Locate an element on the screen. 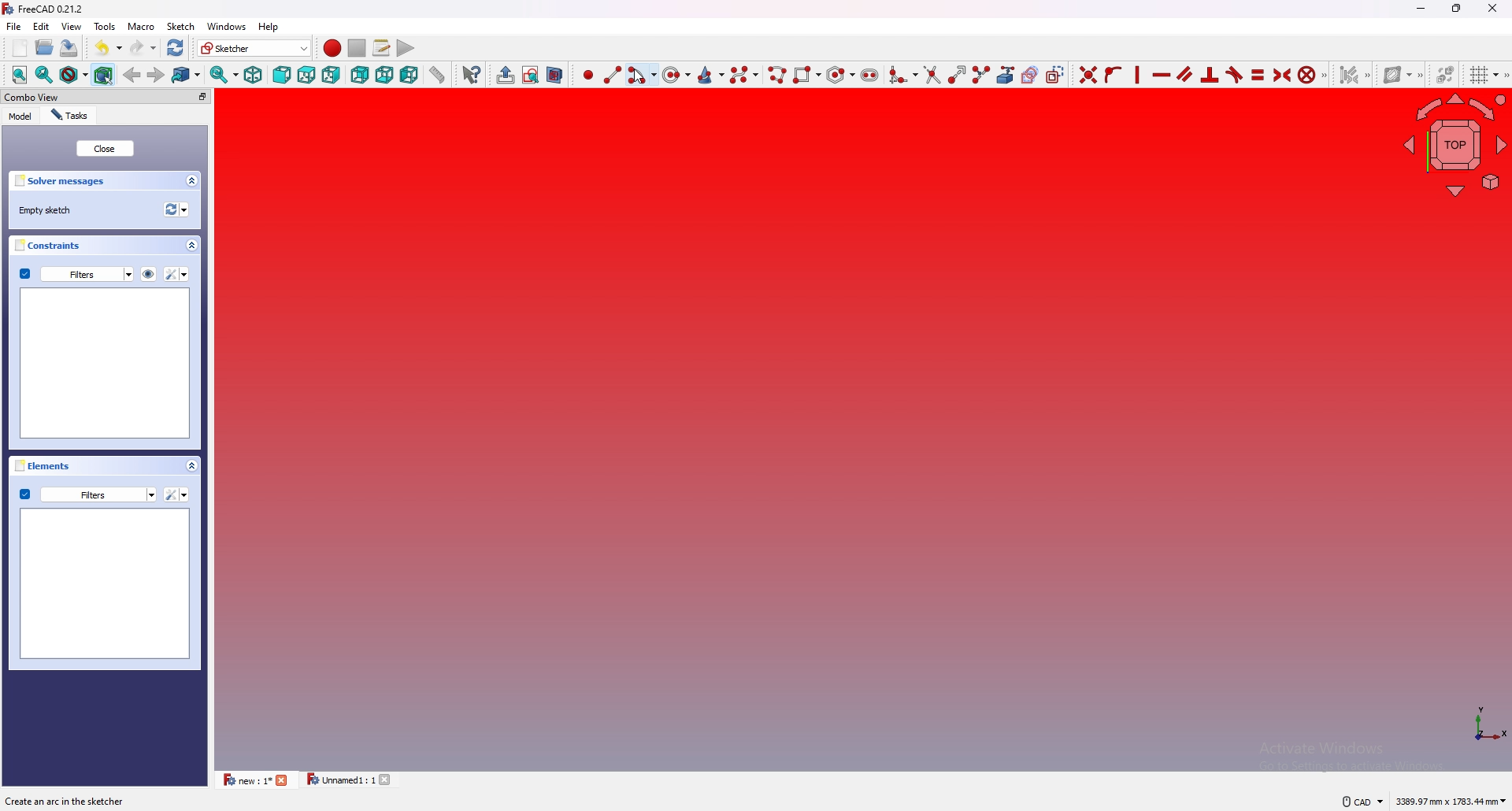 The image size is (1512, 811). Unnamed1 : 1 is located at coordinates (339, 780).